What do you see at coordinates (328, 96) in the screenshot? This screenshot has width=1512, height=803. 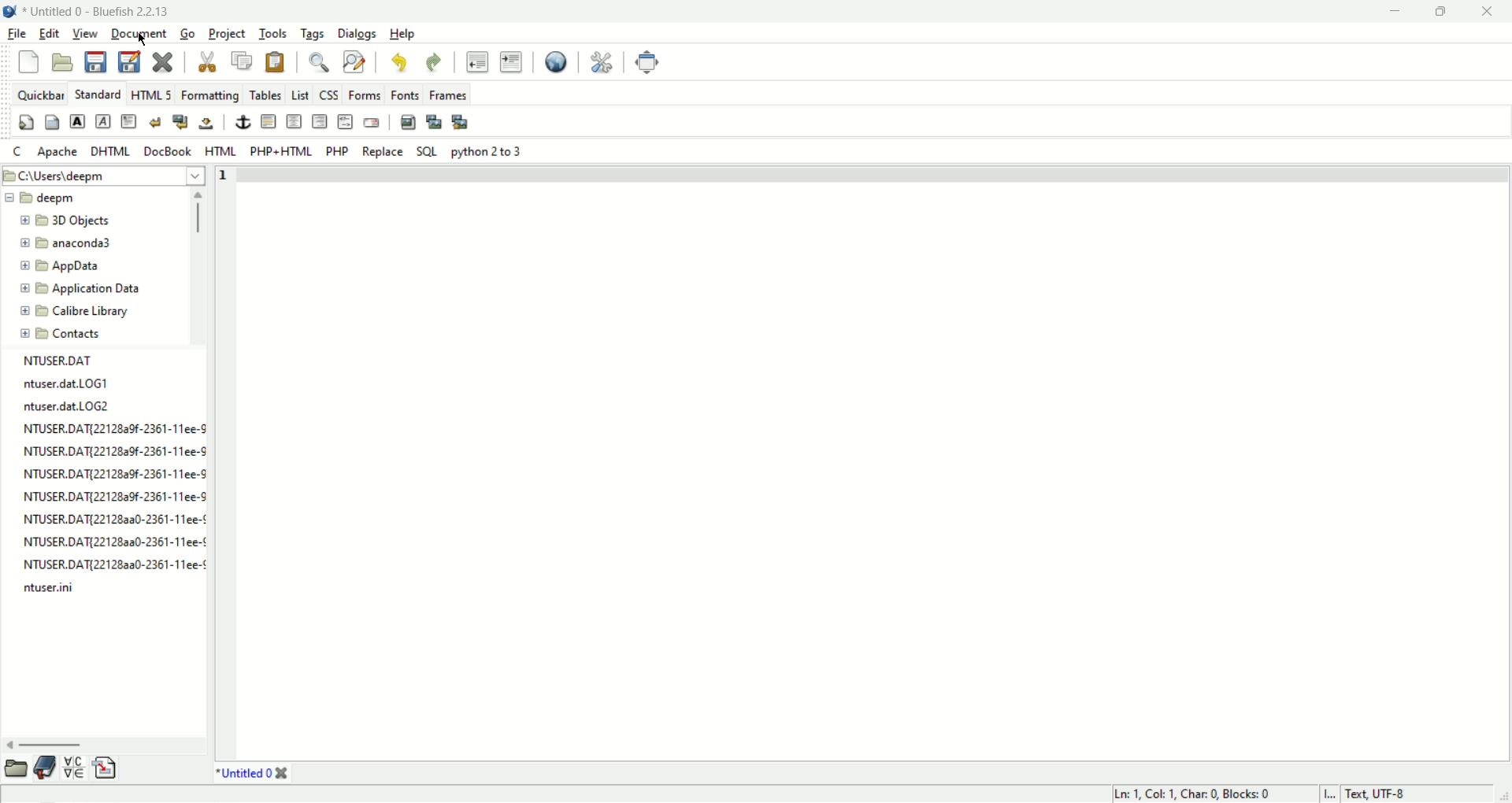 I see `css` at bounding box center [328, 96].